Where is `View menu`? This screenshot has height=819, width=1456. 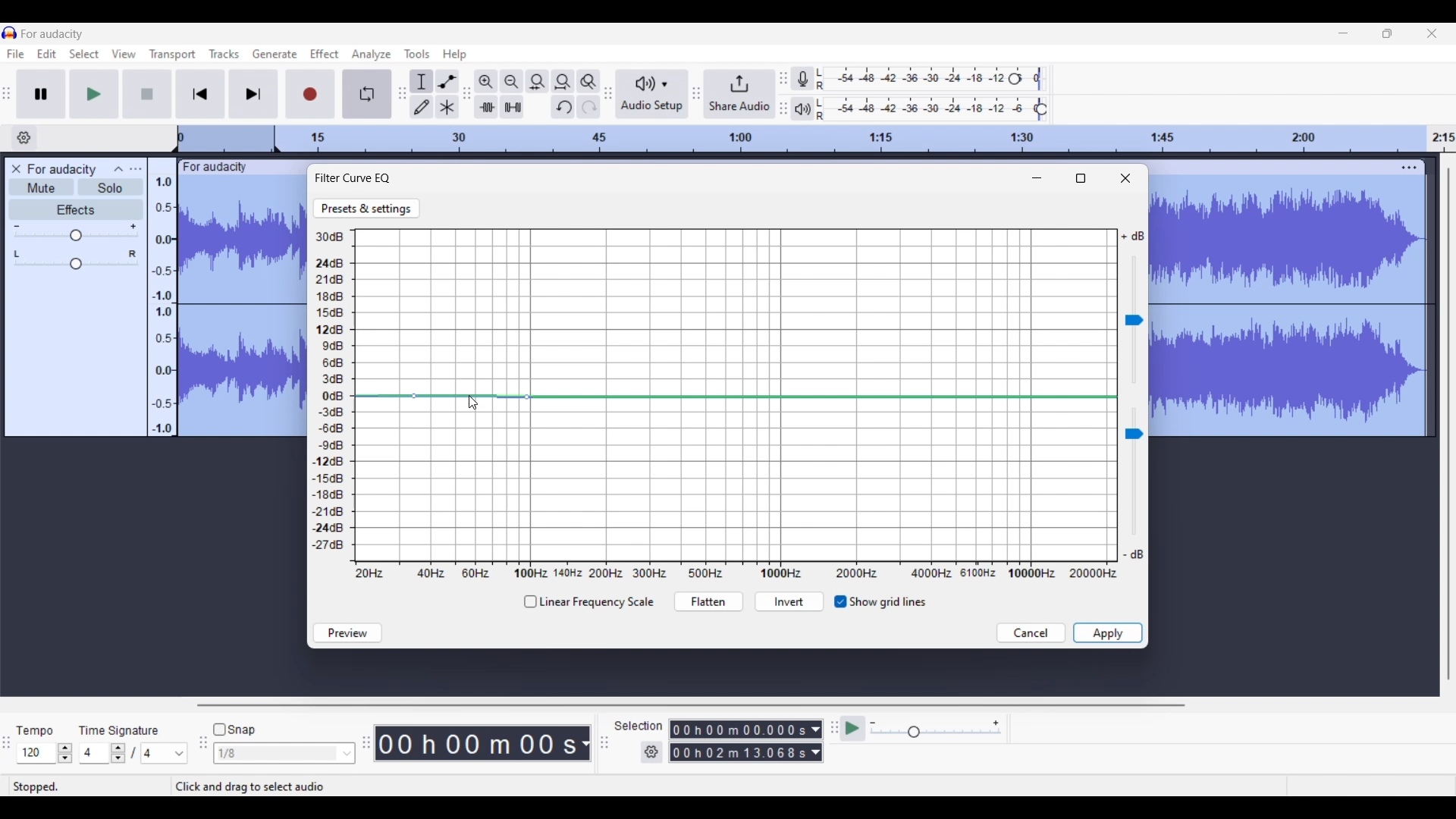 View menu is located at coordinates (124, 54).